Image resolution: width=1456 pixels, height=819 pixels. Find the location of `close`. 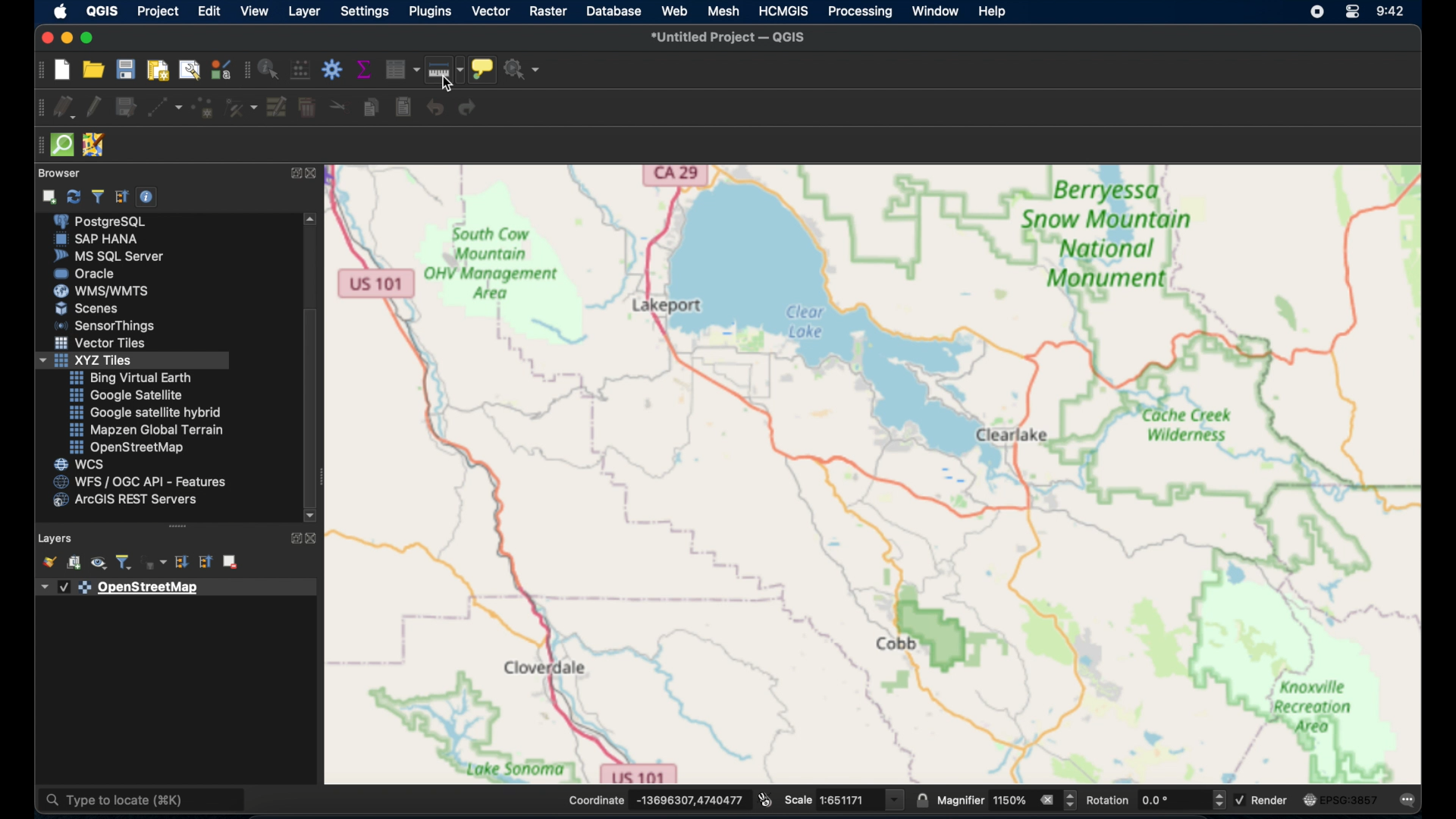

close is located at coordinates (313, 538).